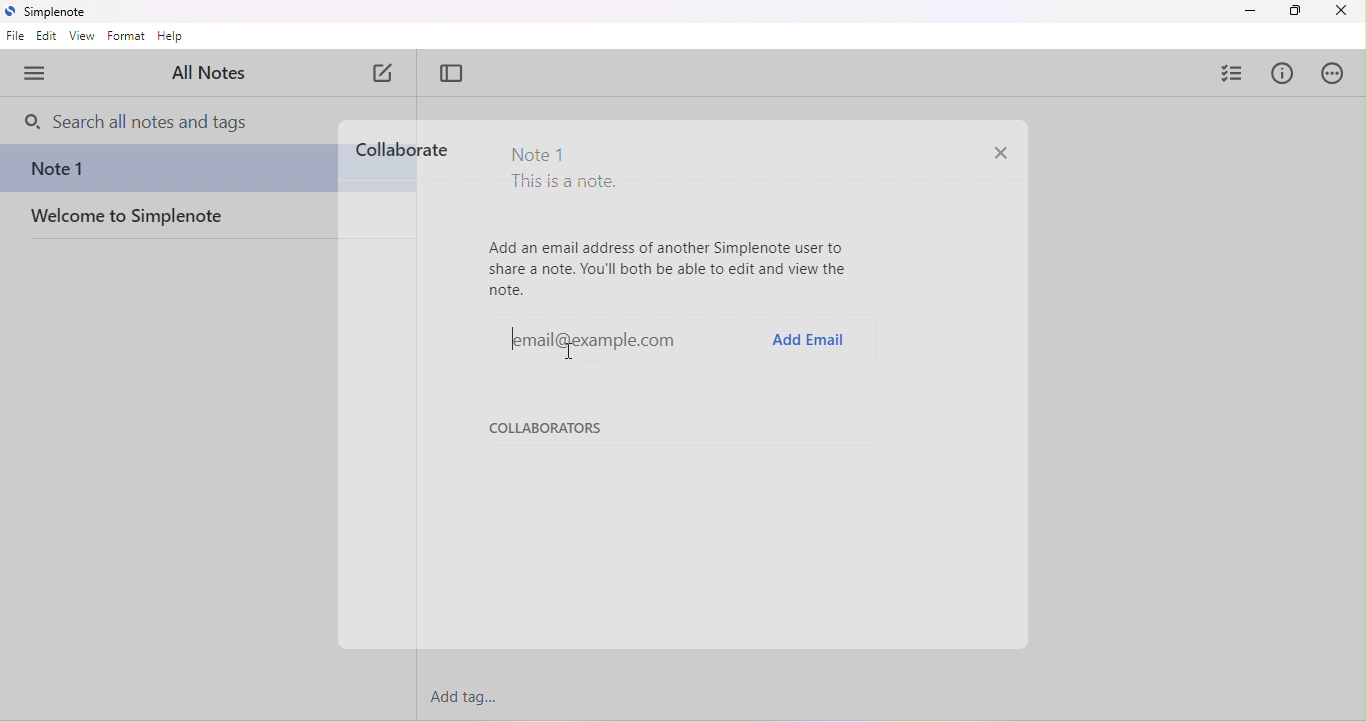 The image size is (1366, 722). What do you see at coordinates (580, 353) in the screenshot?
I see `cursor movement` at bounding box center [580, 353].